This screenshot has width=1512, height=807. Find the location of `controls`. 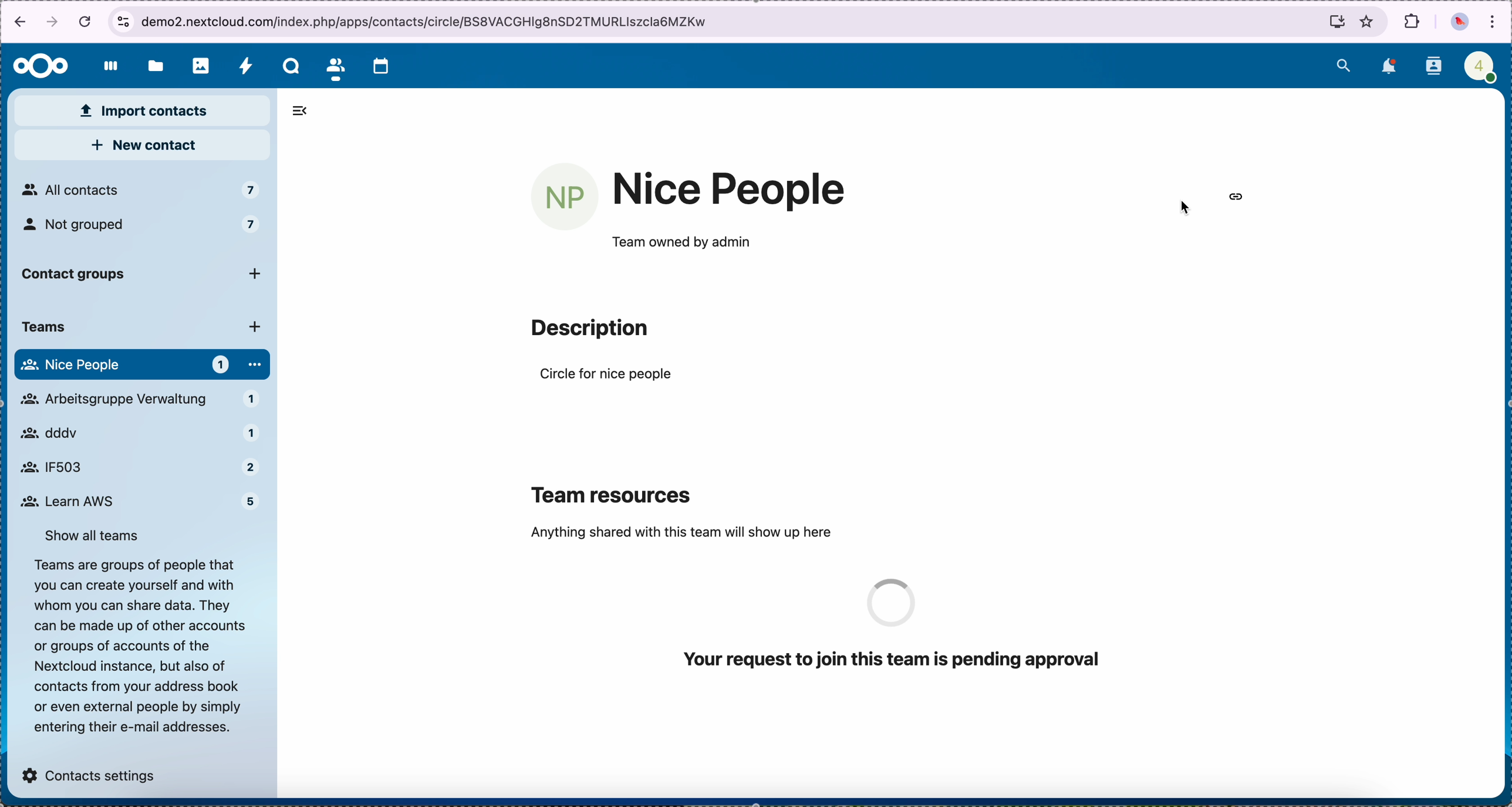

controls is located at coordinates (122, 19).